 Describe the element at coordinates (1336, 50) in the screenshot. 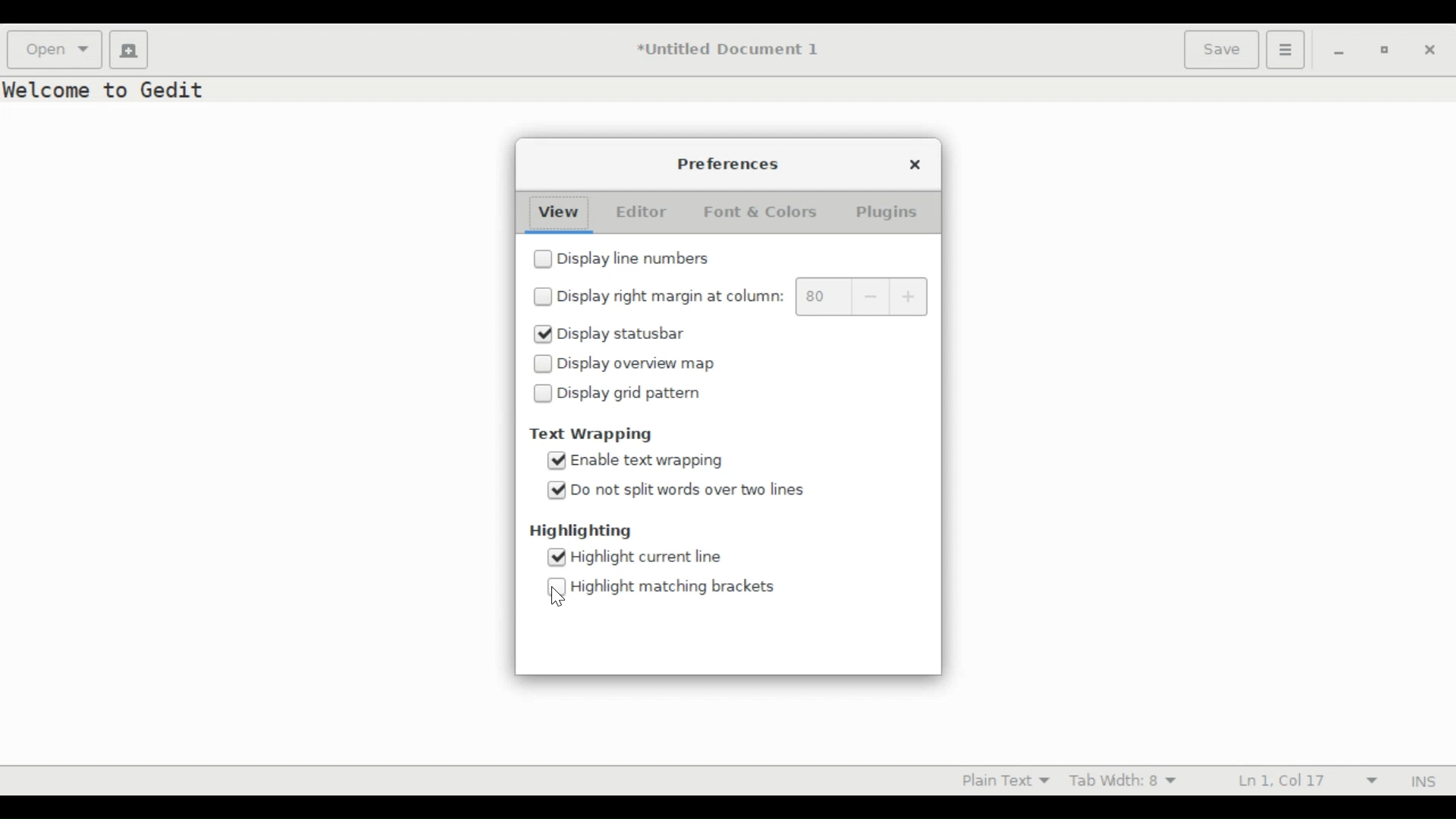

I see `minimize` at that location.